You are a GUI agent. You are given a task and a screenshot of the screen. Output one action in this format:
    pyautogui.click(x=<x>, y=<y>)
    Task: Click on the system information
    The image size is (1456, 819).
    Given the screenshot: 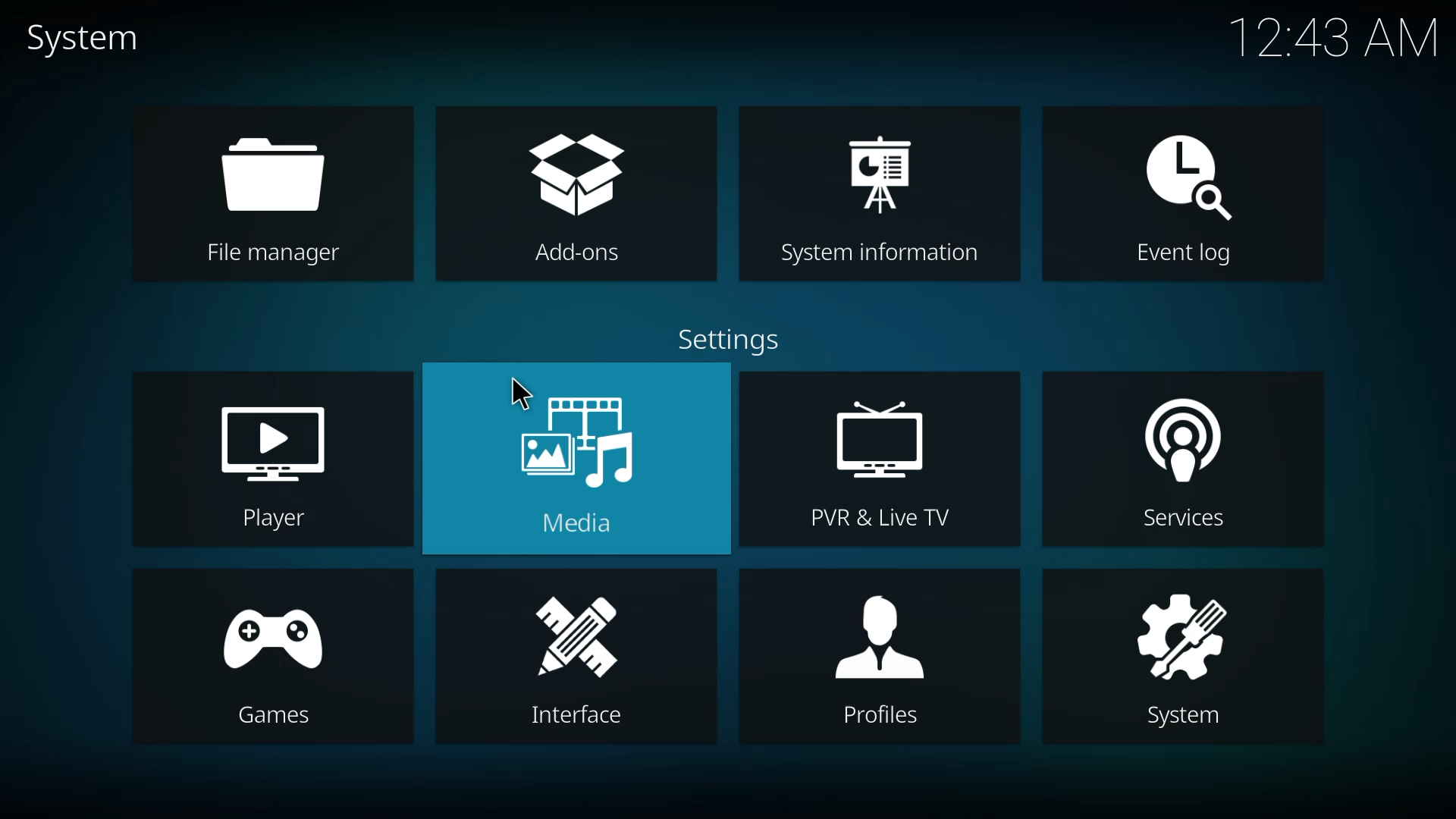 What is the action you would take?
    pyautogui.click(x=885, y=198)
    